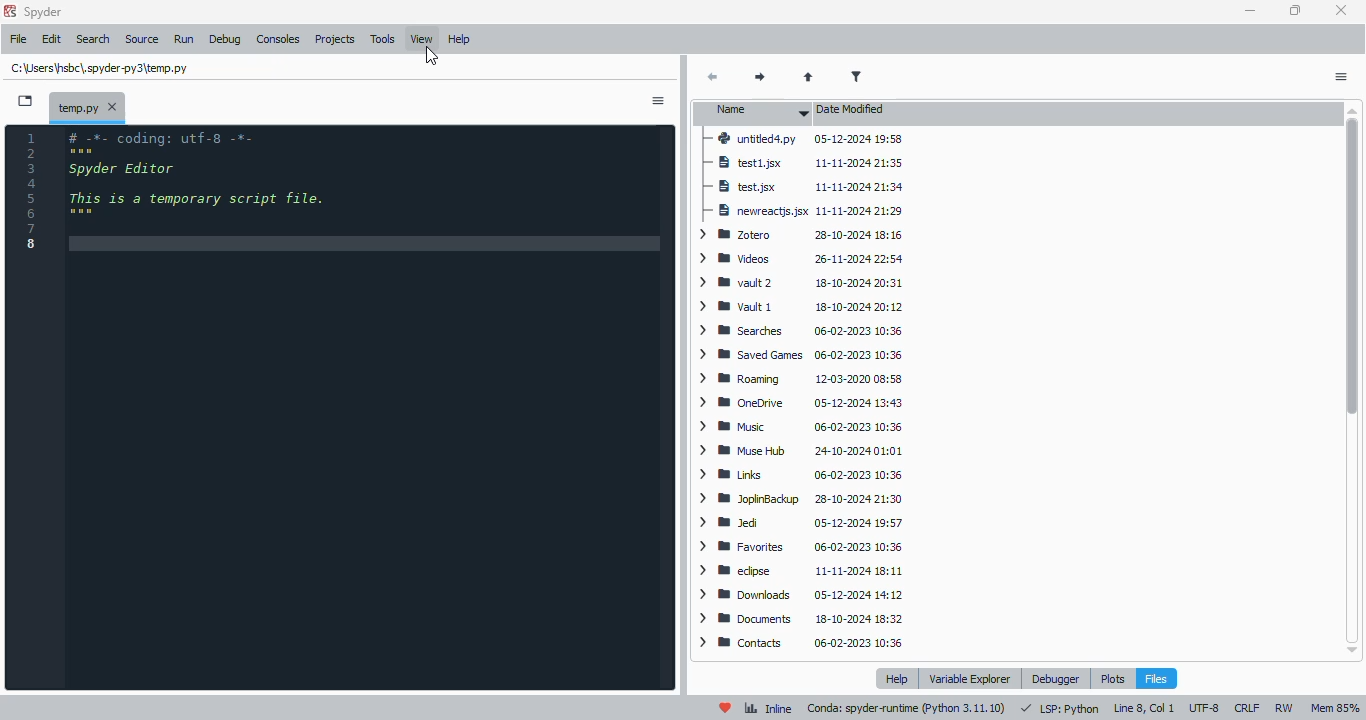 The width and height of the screenshot is (1366, 720). I want to click on videos, so click(804, 258).